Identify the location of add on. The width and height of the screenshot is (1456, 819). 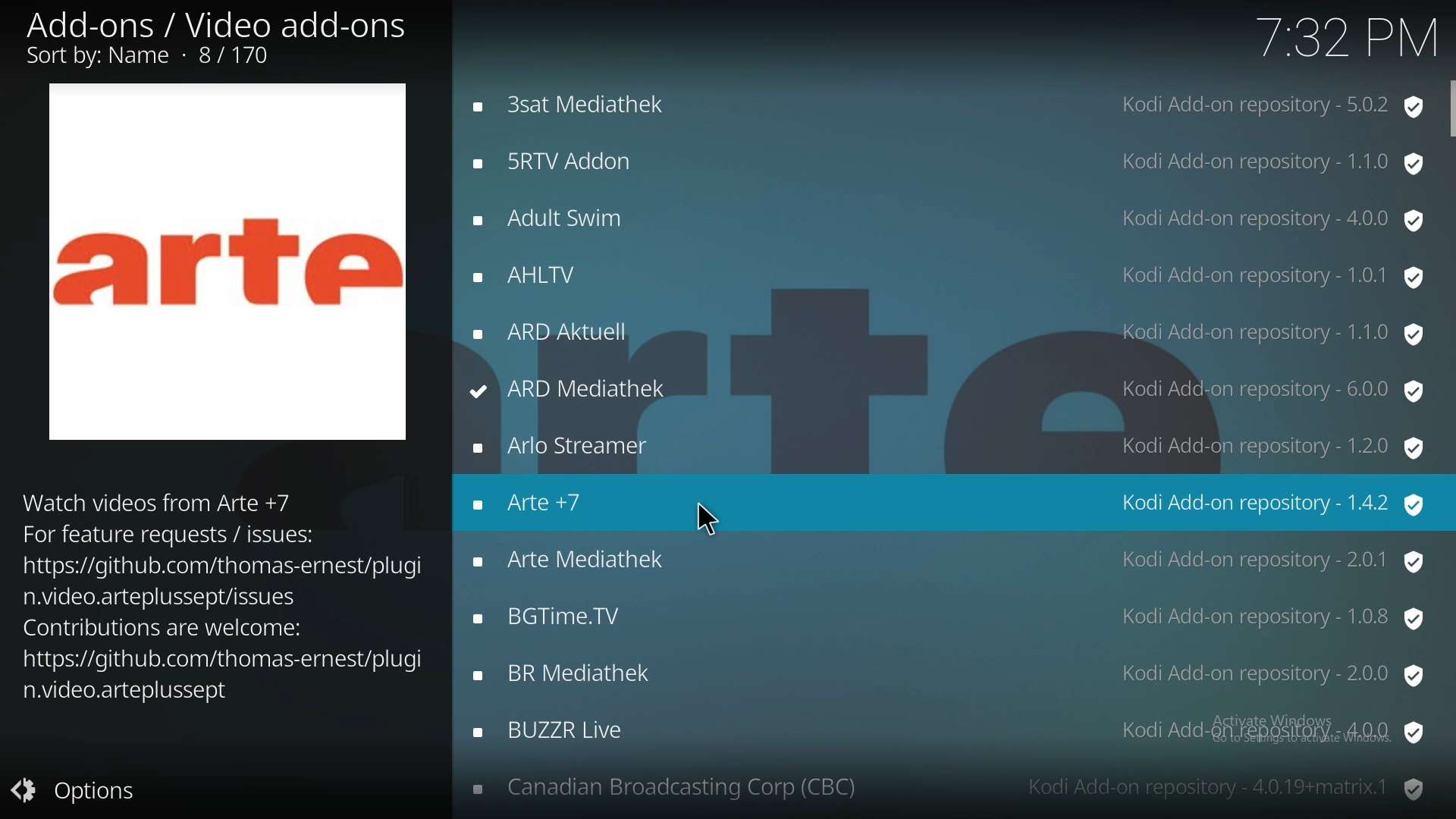
(947, 274).